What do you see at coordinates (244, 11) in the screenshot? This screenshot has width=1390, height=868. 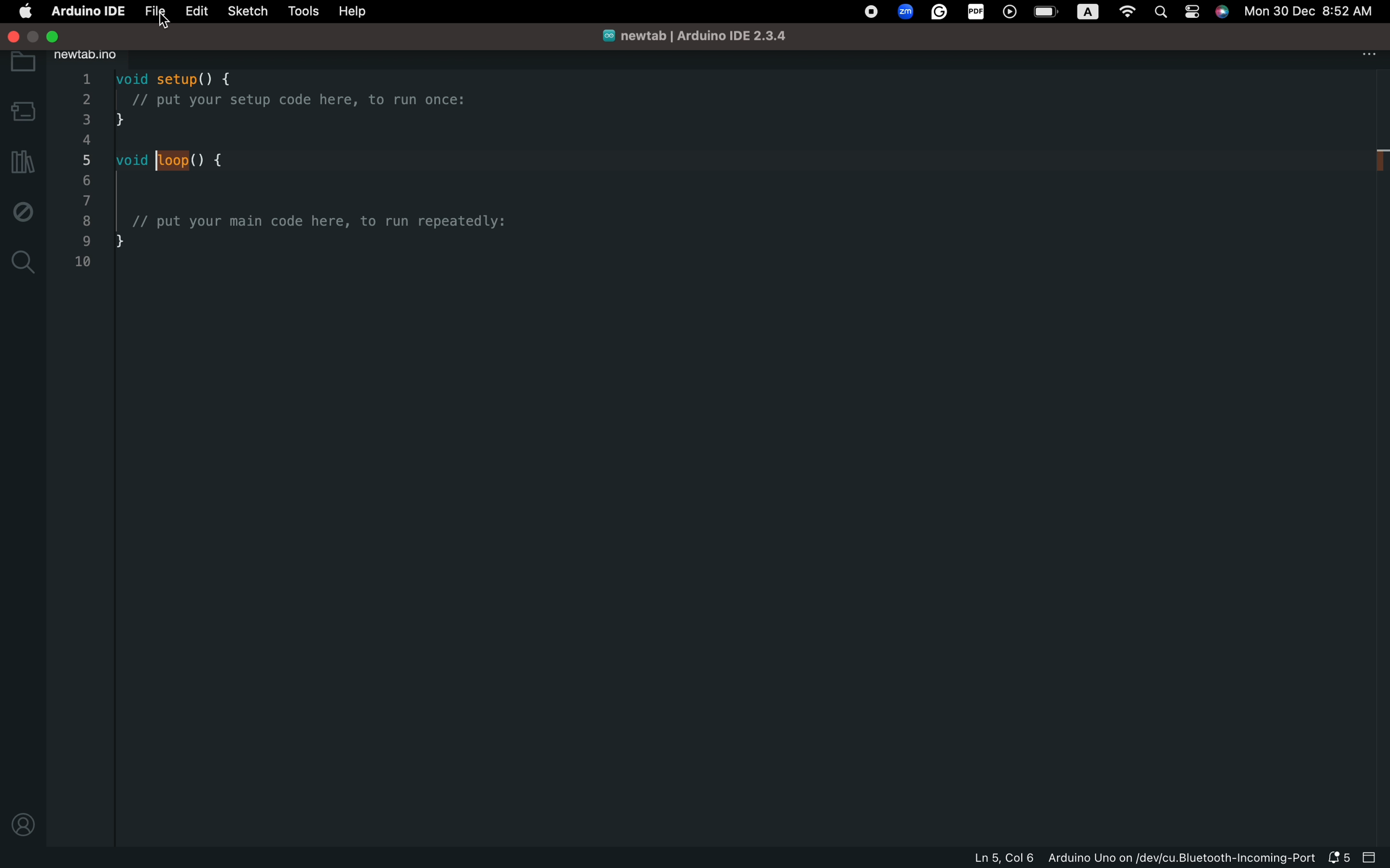 I see `sketch` at bounding box center [244, 11].